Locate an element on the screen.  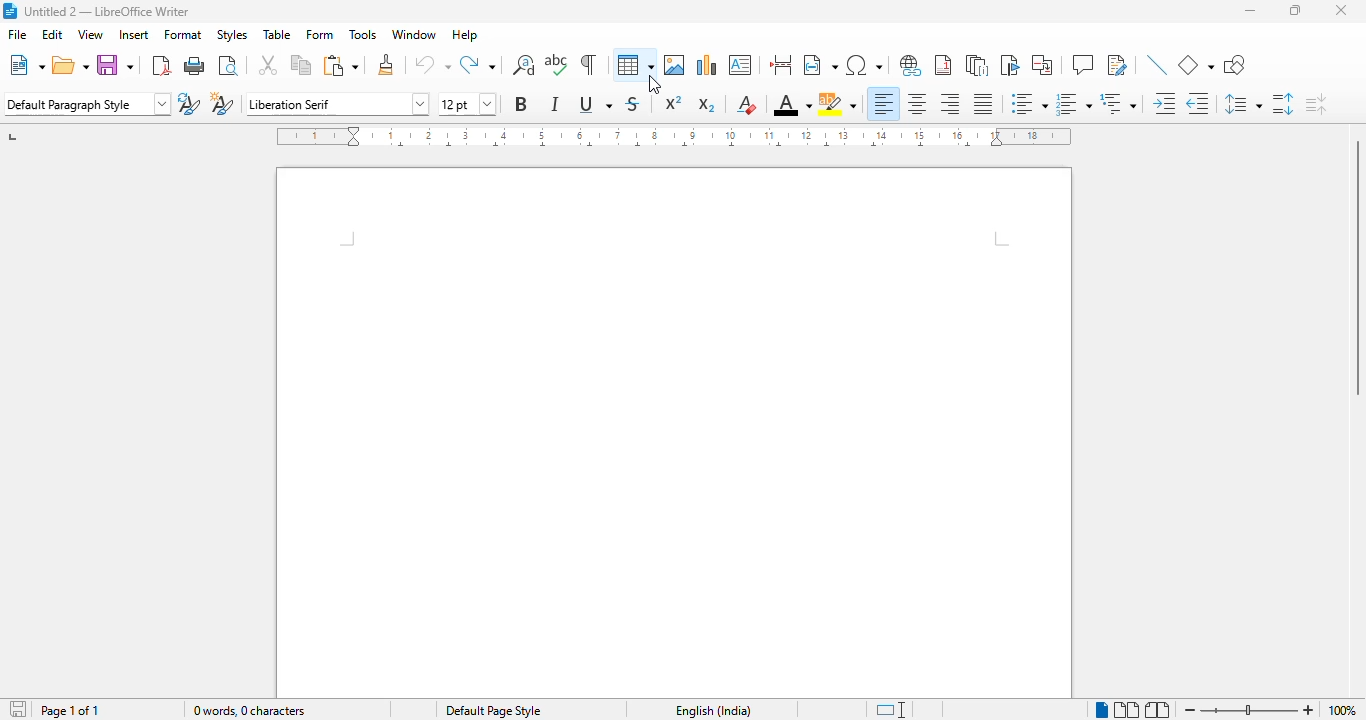
standard selection is located at coordinates (890, 710).